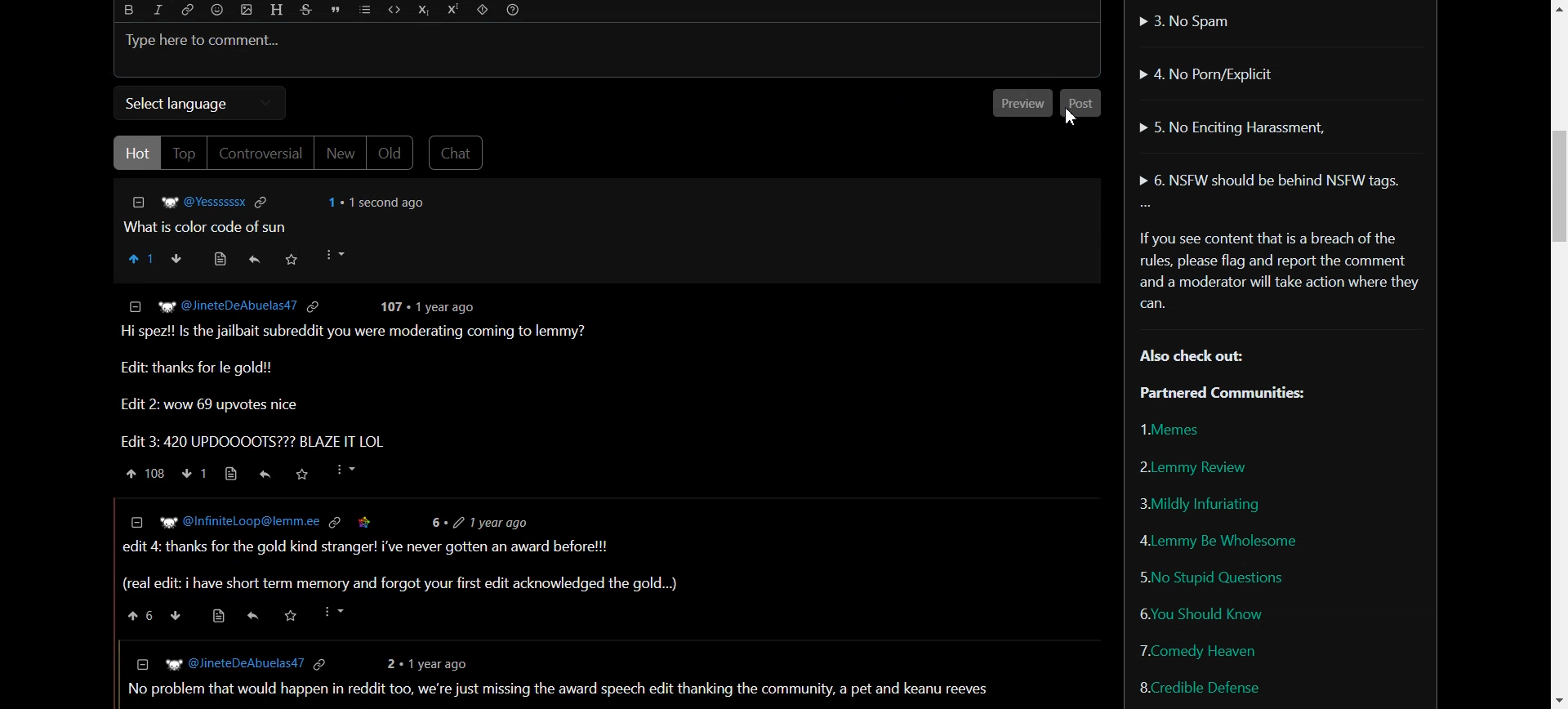 This screenshot has width=1568, height=709. Describe the element at coordinates (207, 369) in the screenshot. I see `Edit: thanks for le gold!!` at that location.